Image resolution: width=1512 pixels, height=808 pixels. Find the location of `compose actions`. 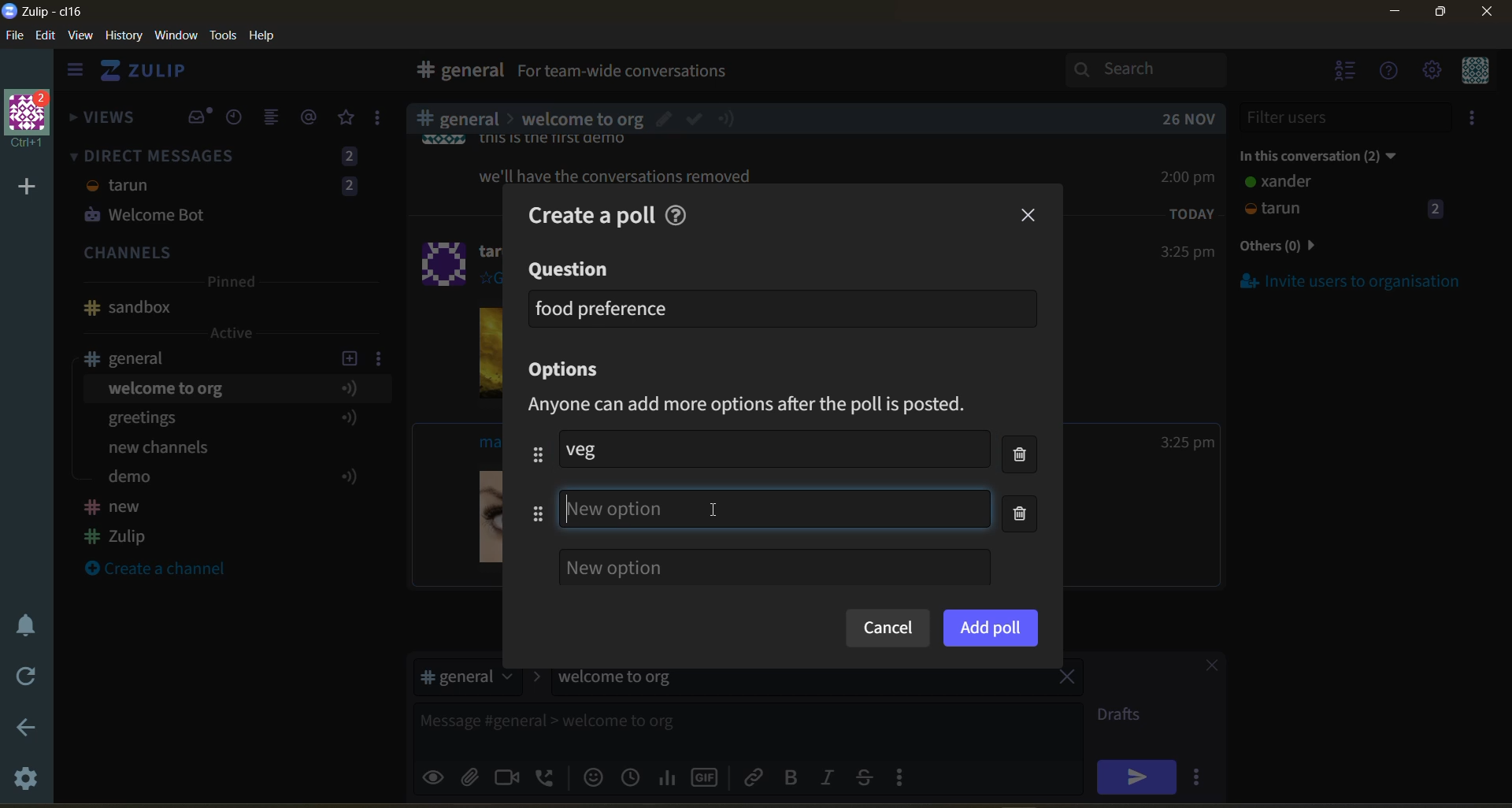

compose actions is located at coordinates (906, 776).